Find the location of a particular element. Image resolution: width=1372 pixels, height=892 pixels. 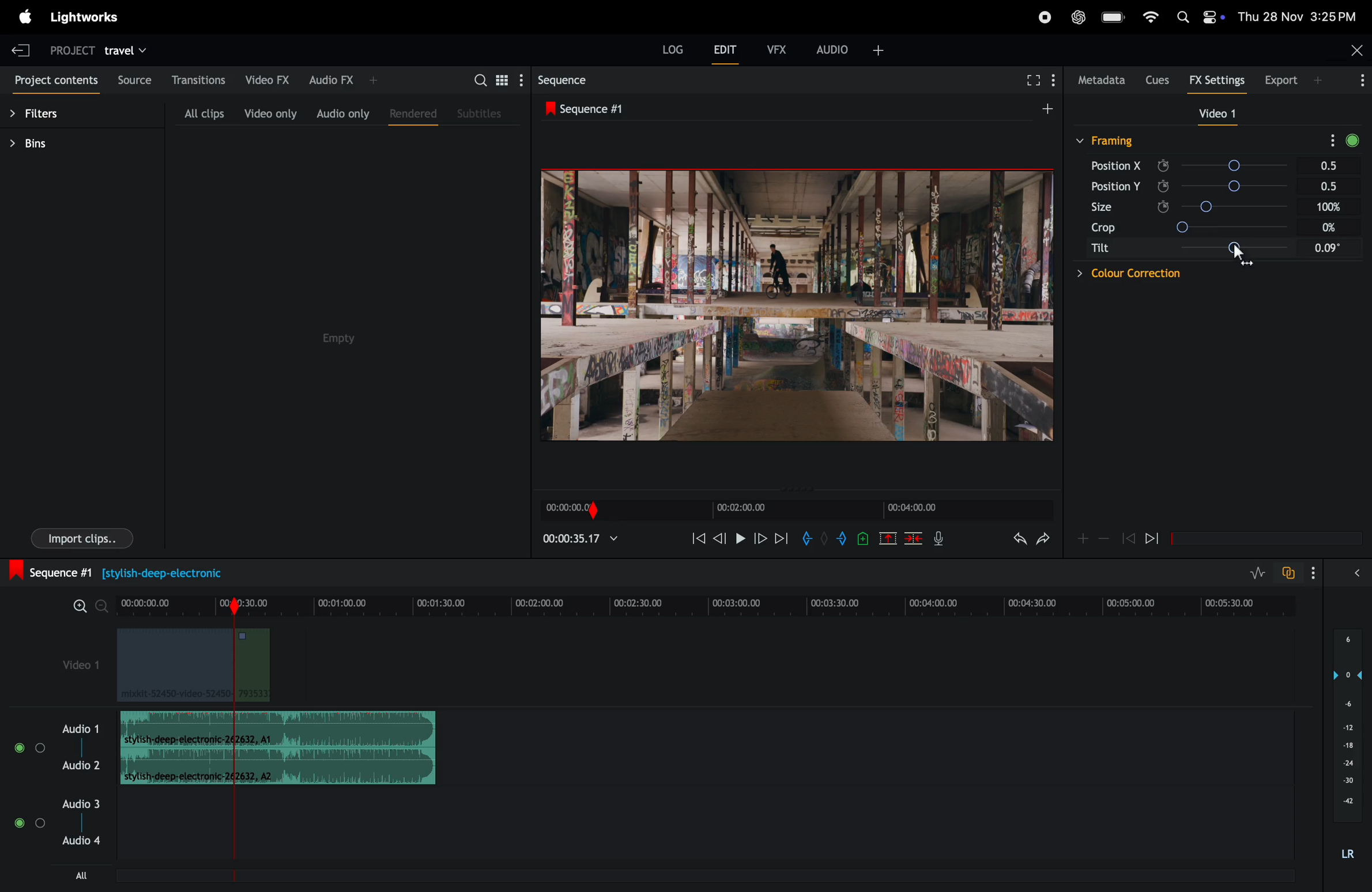

add in mark is located at coordinates (808, 541).